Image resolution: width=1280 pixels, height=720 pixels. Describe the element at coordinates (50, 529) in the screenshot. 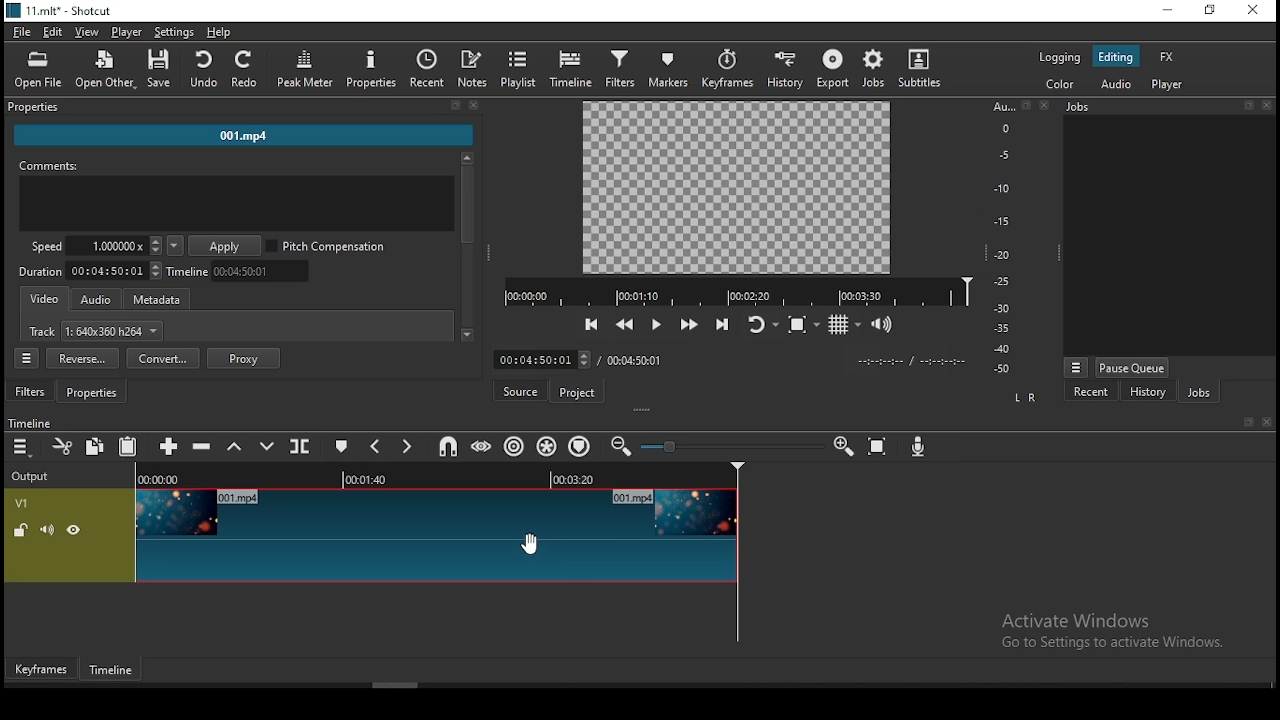

I see `(un)mute` at that location.